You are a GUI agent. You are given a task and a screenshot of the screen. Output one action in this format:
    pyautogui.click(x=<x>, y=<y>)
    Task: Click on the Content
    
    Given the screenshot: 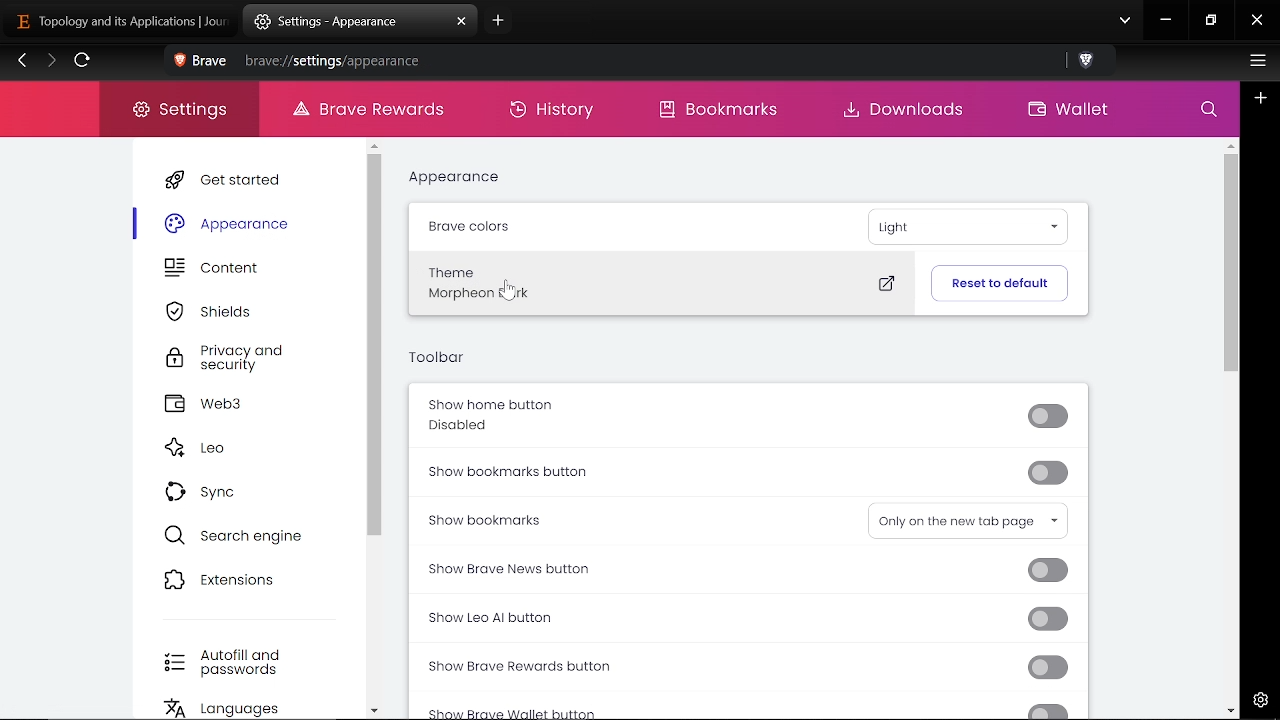 What is the action you would take?
    pyautogui.click(x=228, y=270)
    